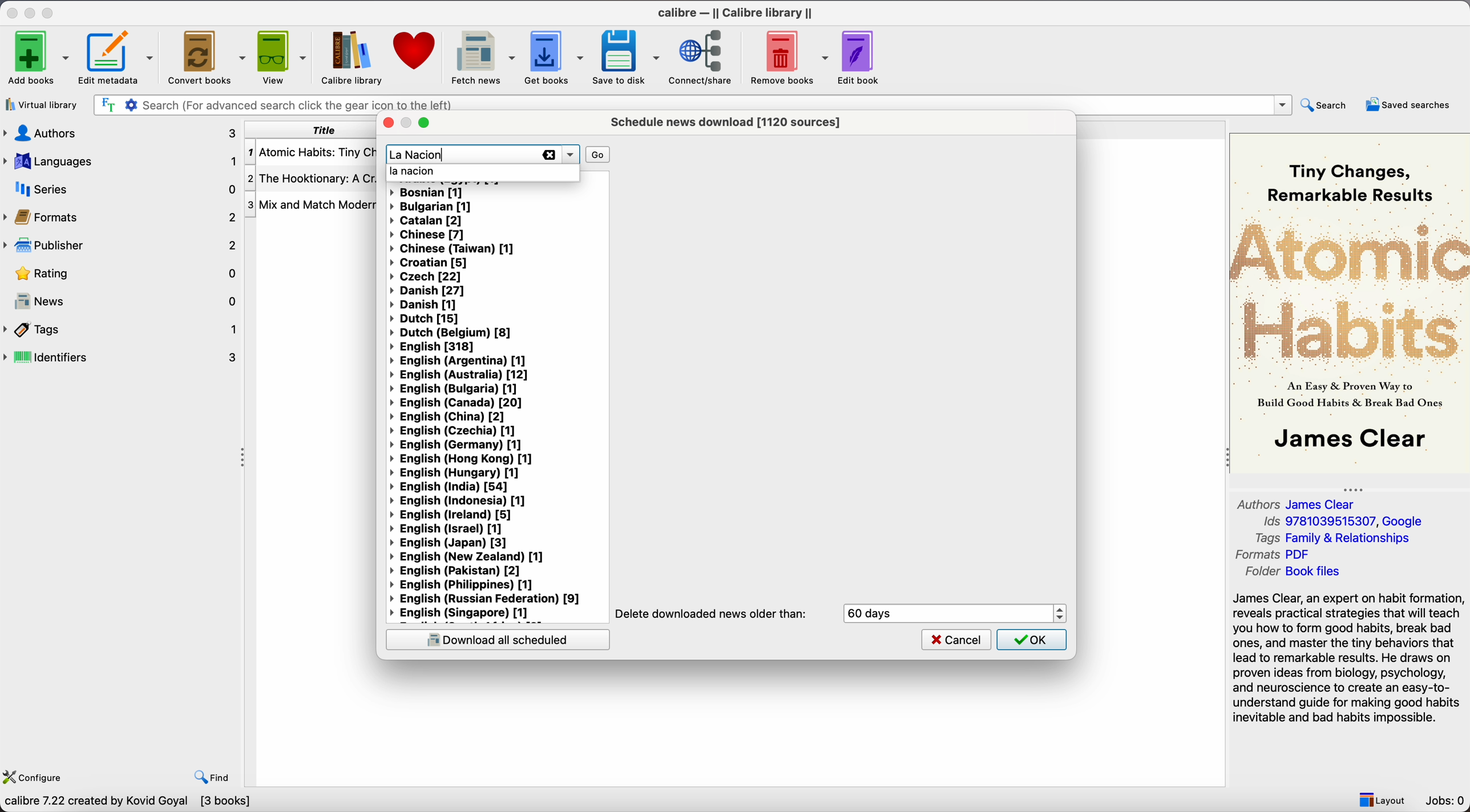 The height and width of the screenshot is (812, 1470). I want to click on English (Russian Federation) [9], so click(487, 599).